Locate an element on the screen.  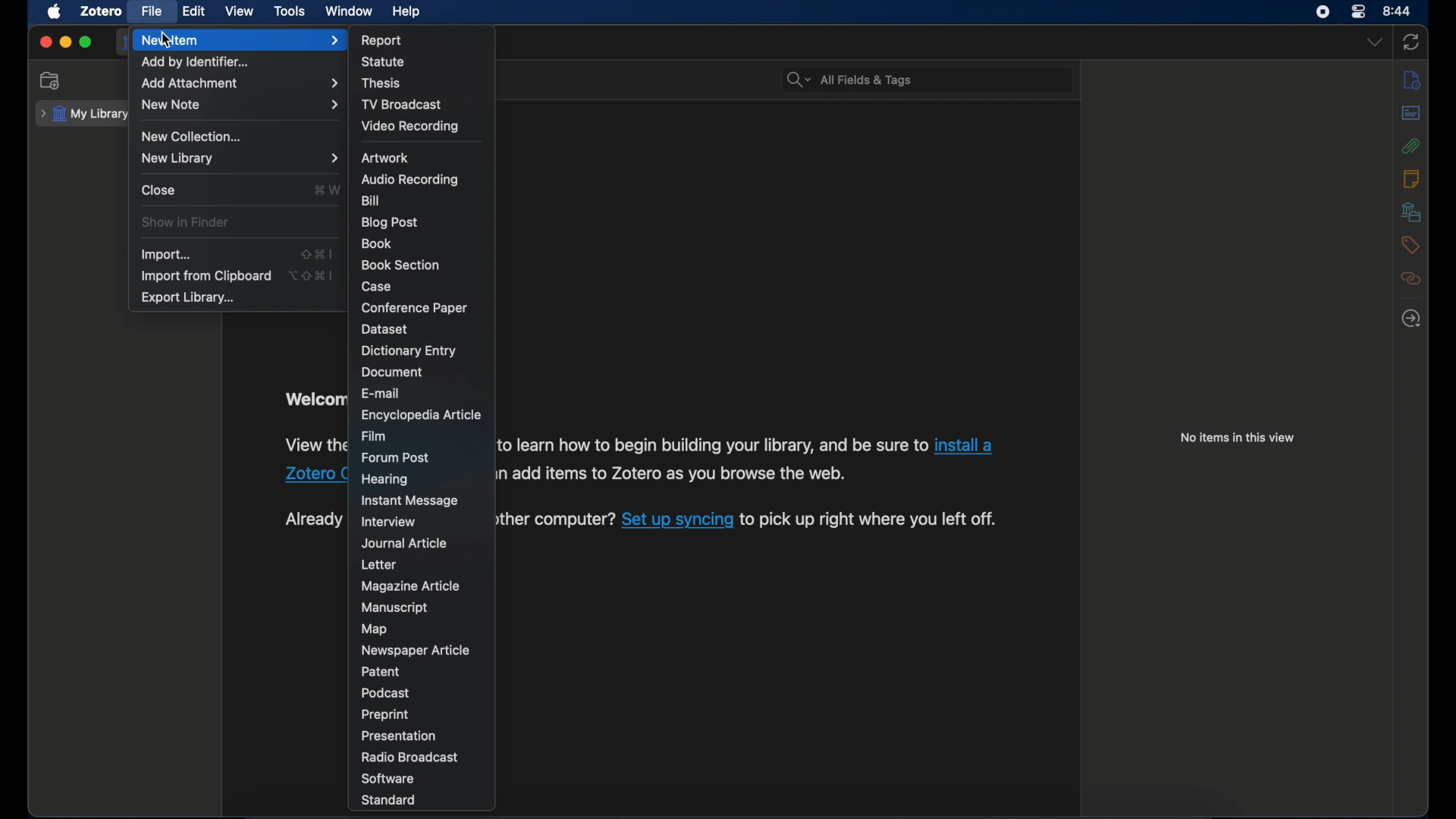
forum post is located at coordinates (395, 457).